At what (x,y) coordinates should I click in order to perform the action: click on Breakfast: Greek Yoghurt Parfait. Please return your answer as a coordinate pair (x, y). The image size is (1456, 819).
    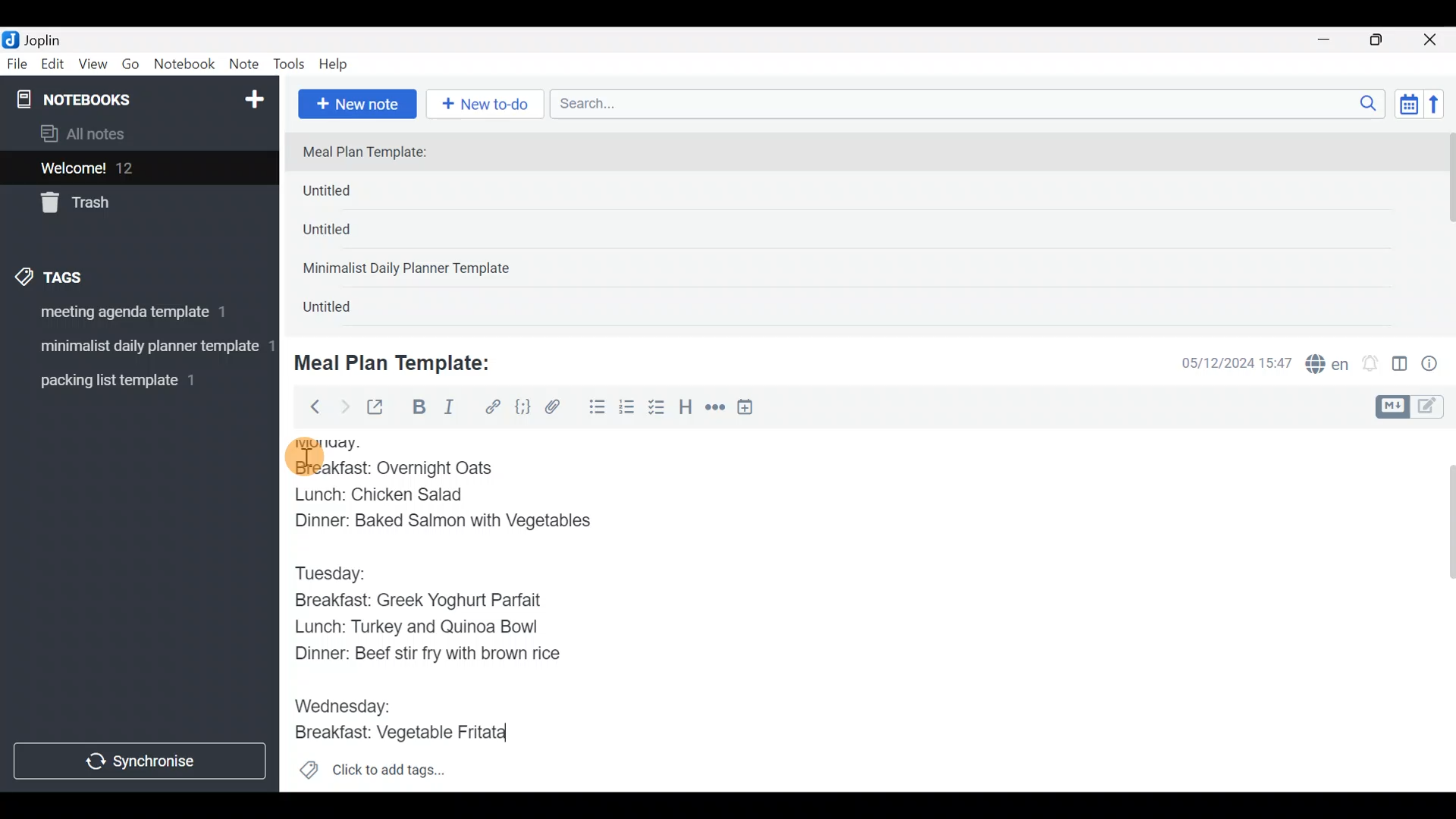
    Looking at the image, I should click on (434, 601).